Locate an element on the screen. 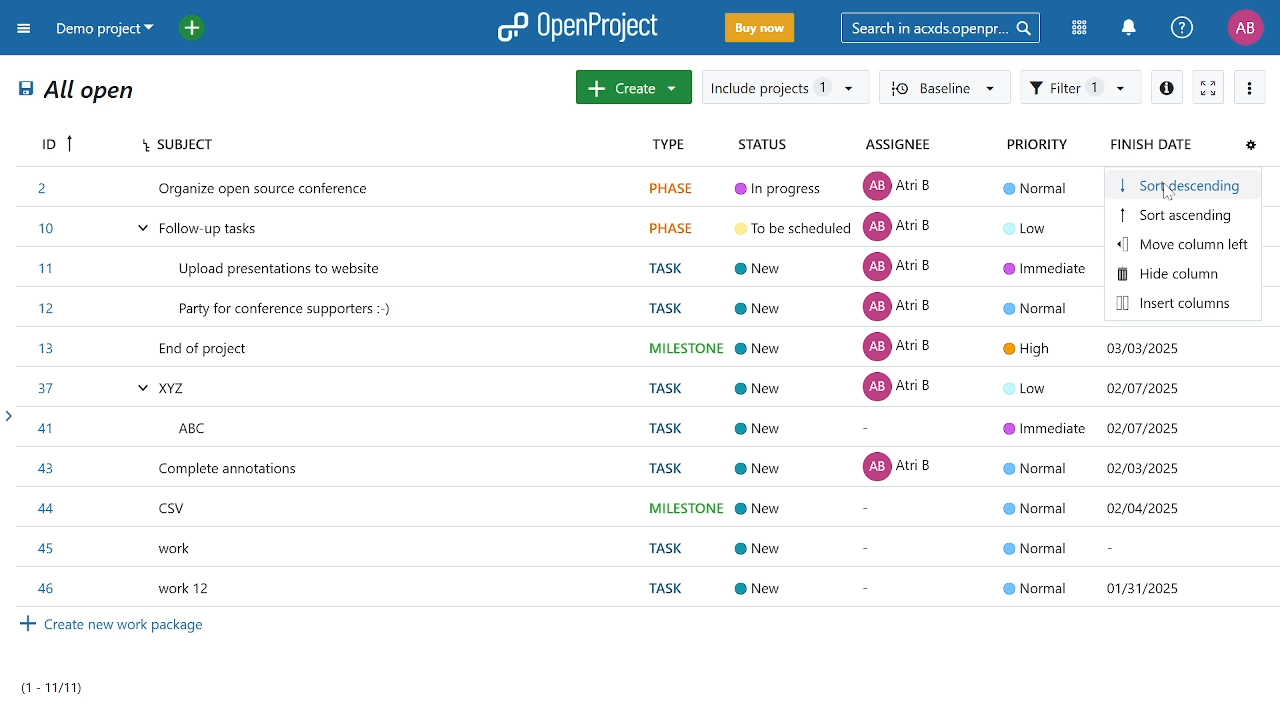  task titled "work 12" is located at coordinates (649, 586).